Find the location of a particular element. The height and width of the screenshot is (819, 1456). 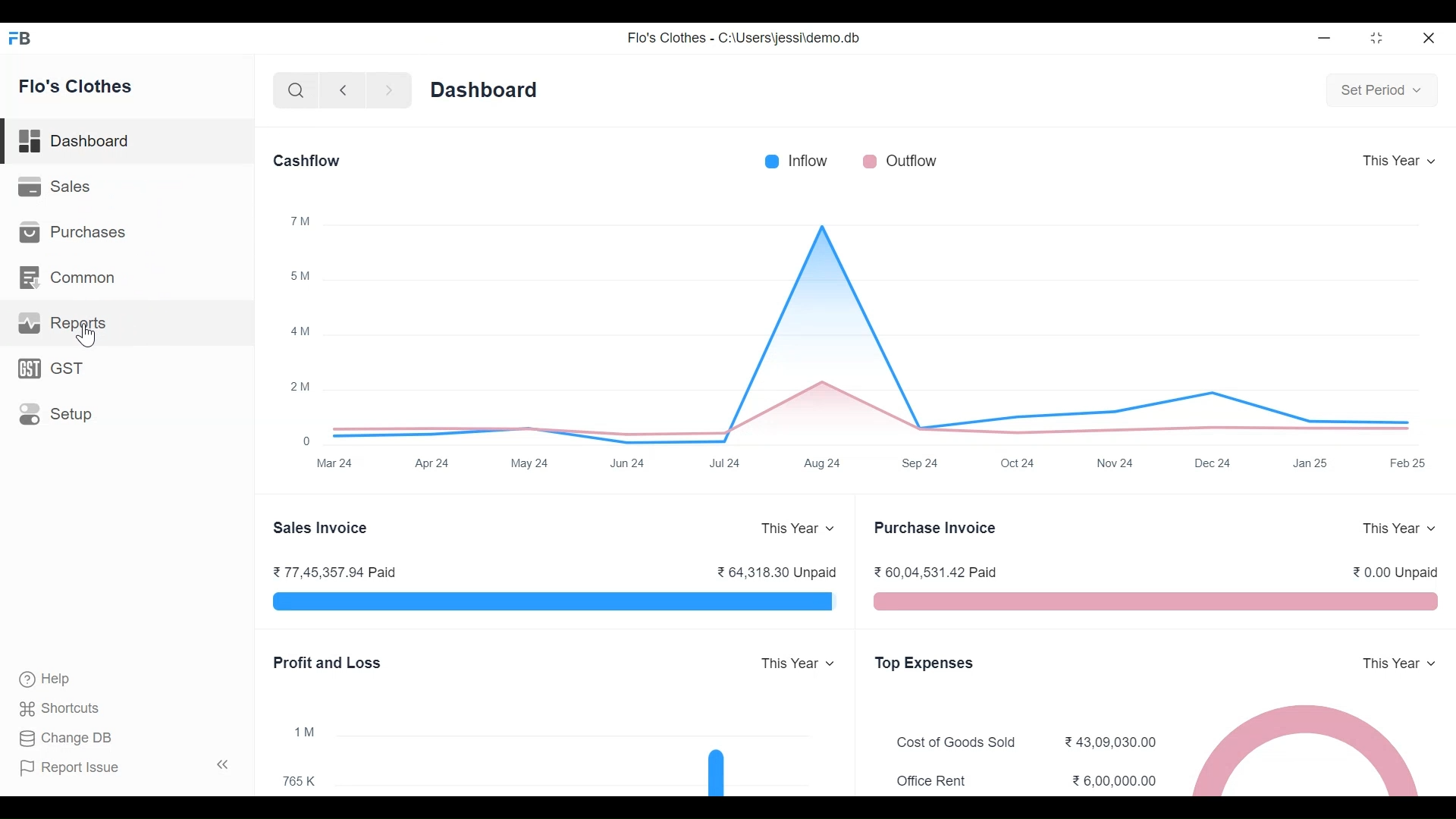

Search is located at coordinates (293, 89).